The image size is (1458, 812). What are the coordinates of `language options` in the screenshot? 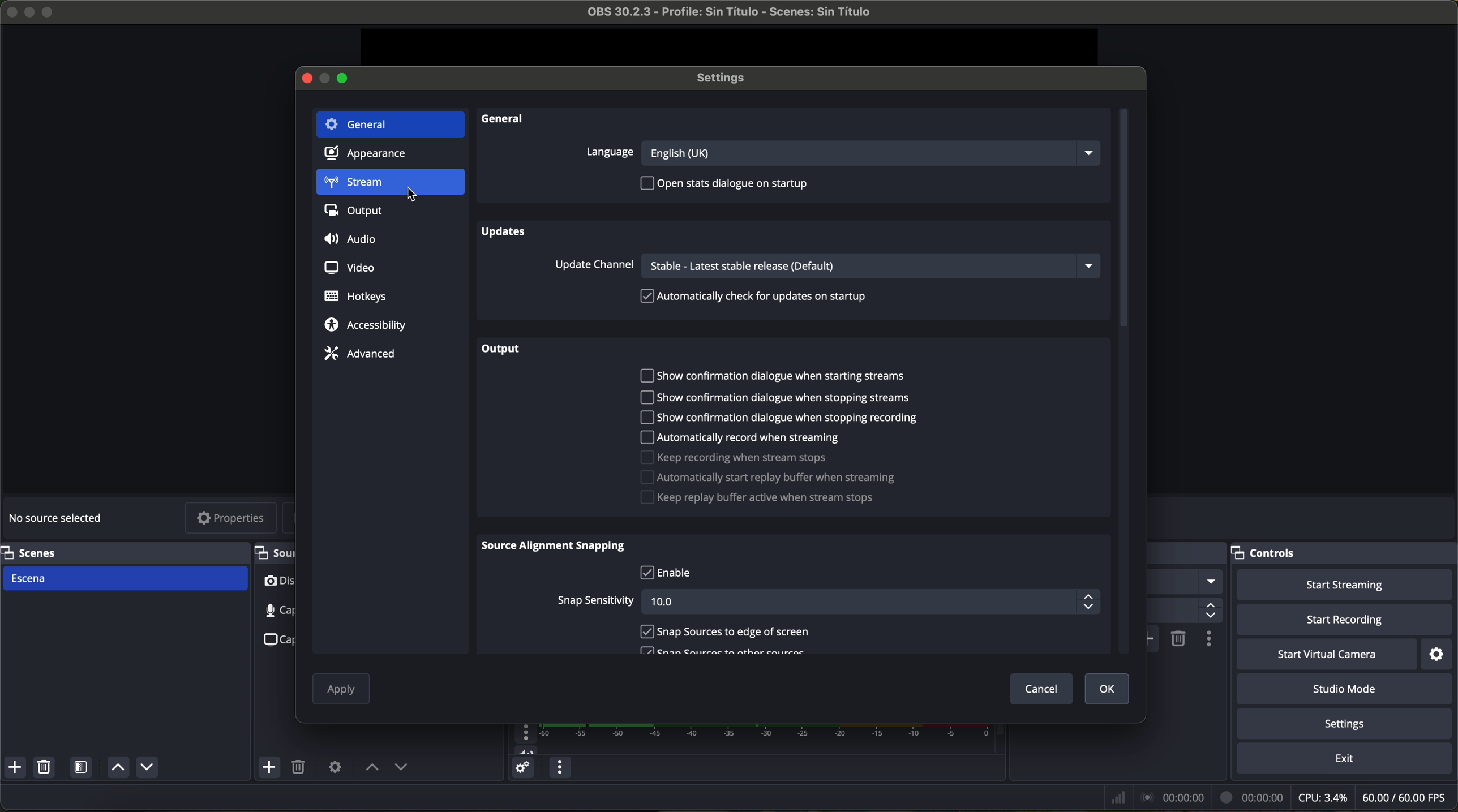 It's located at (844, 151).